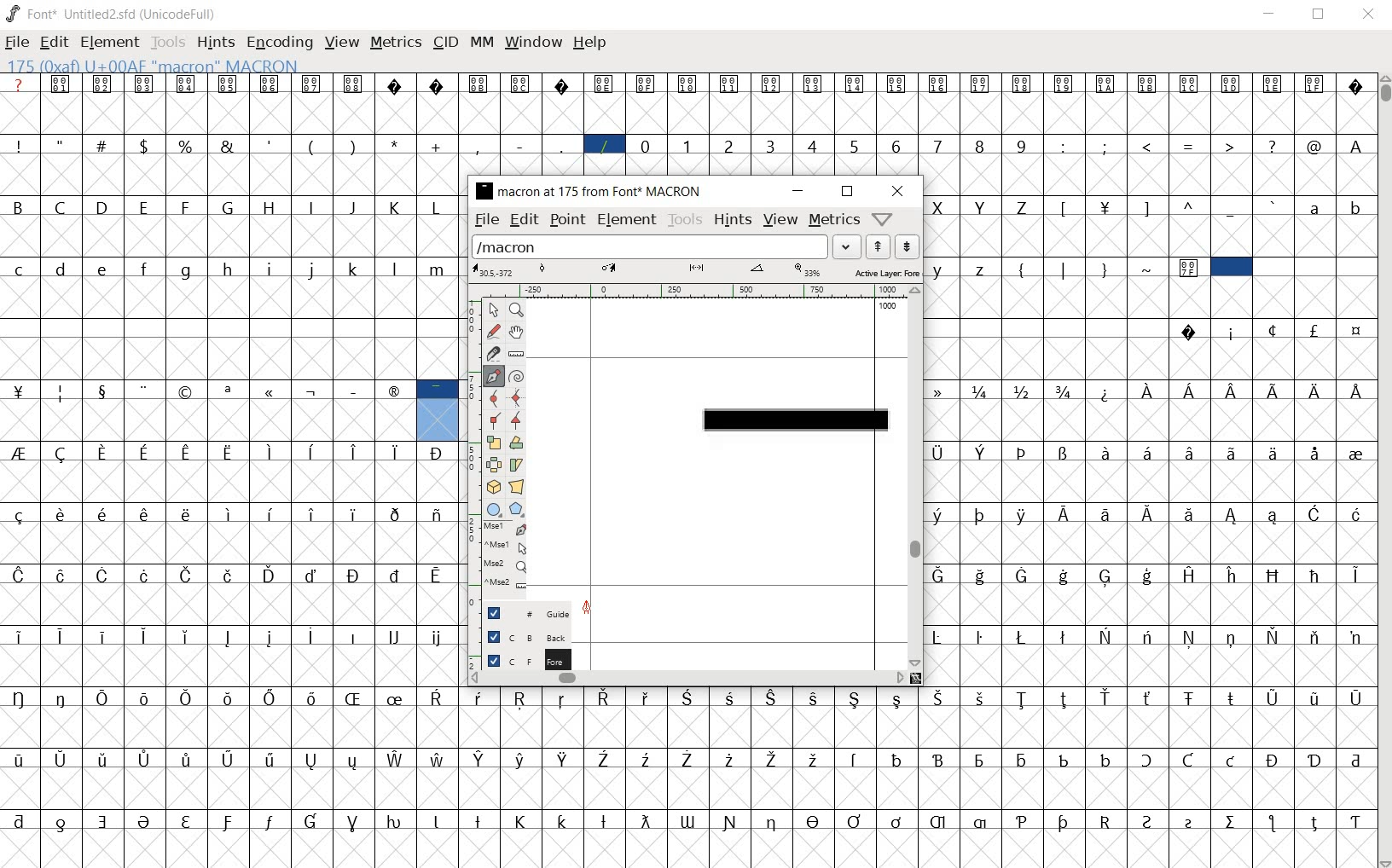 Image resolution: width=1392 pixels, height=868 pixels. I want to click on cell selected, so click(439, 391).